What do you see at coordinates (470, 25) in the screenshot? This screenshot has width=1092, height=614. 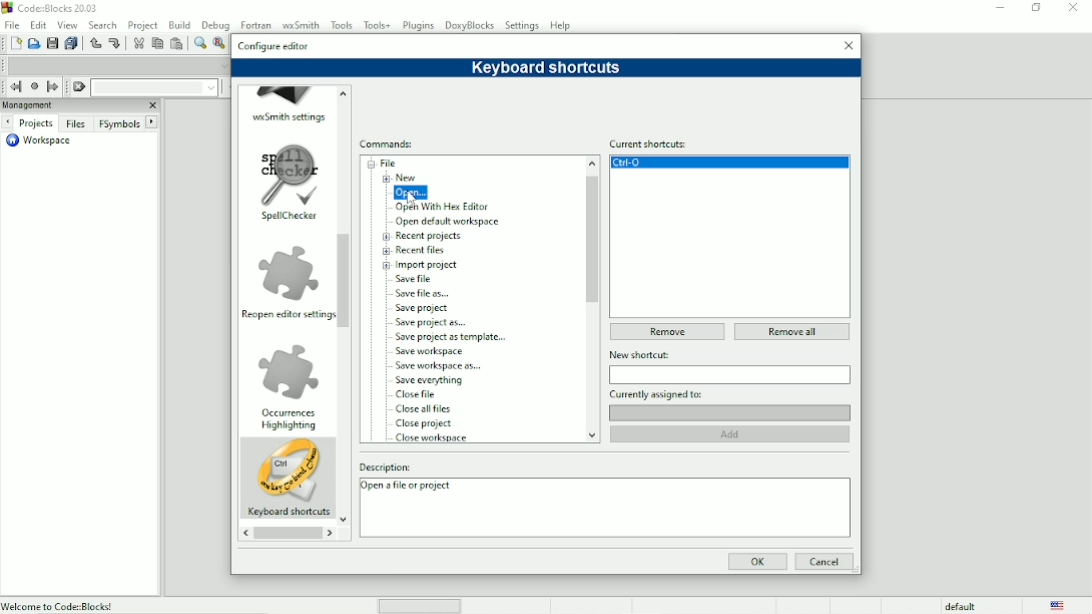 I see `DoxyBlocks` at bounding box center [470, 25].